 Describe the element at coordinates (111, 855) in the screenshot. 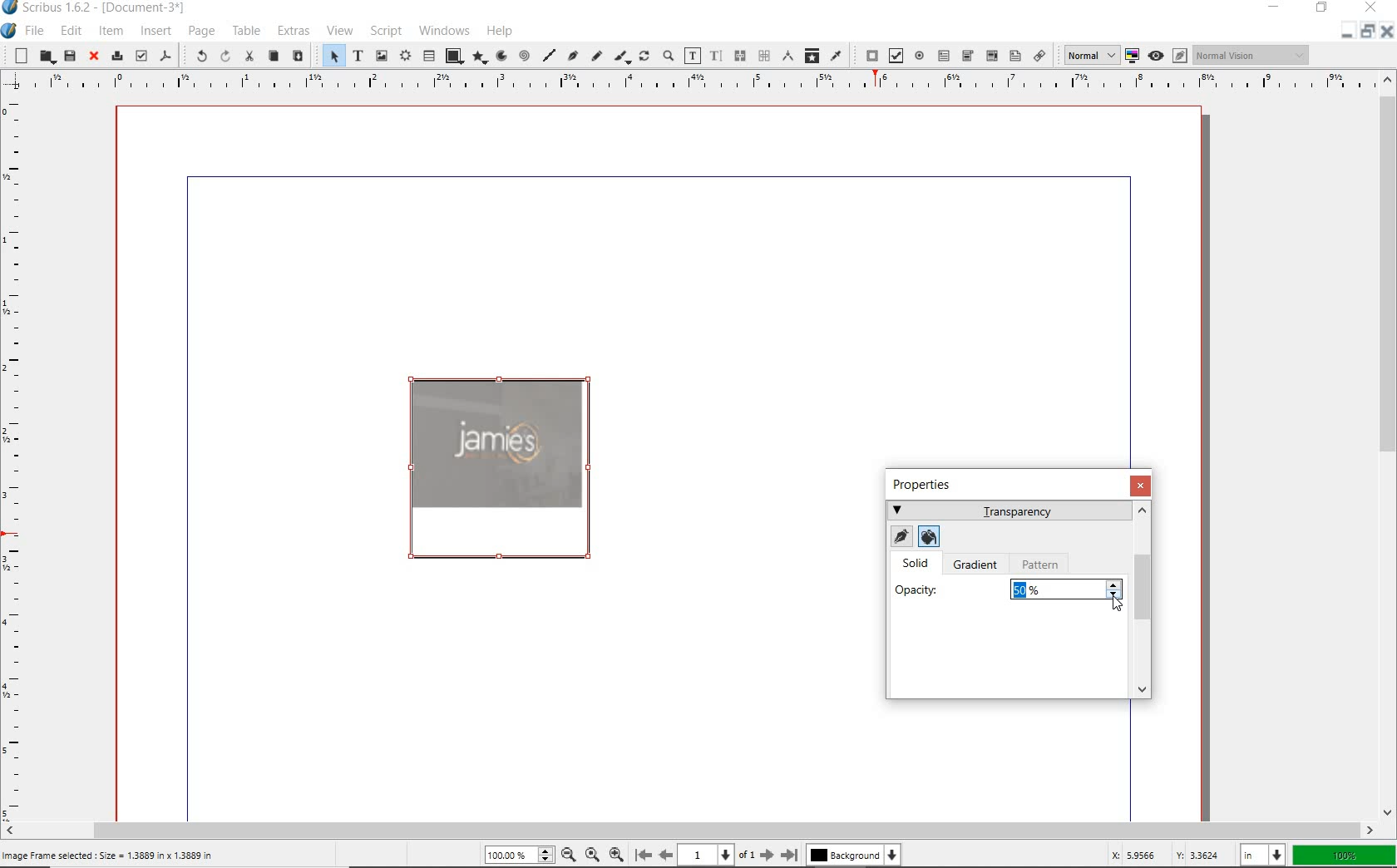

I see `INSERT AN IMAGE FRAME` at that location.